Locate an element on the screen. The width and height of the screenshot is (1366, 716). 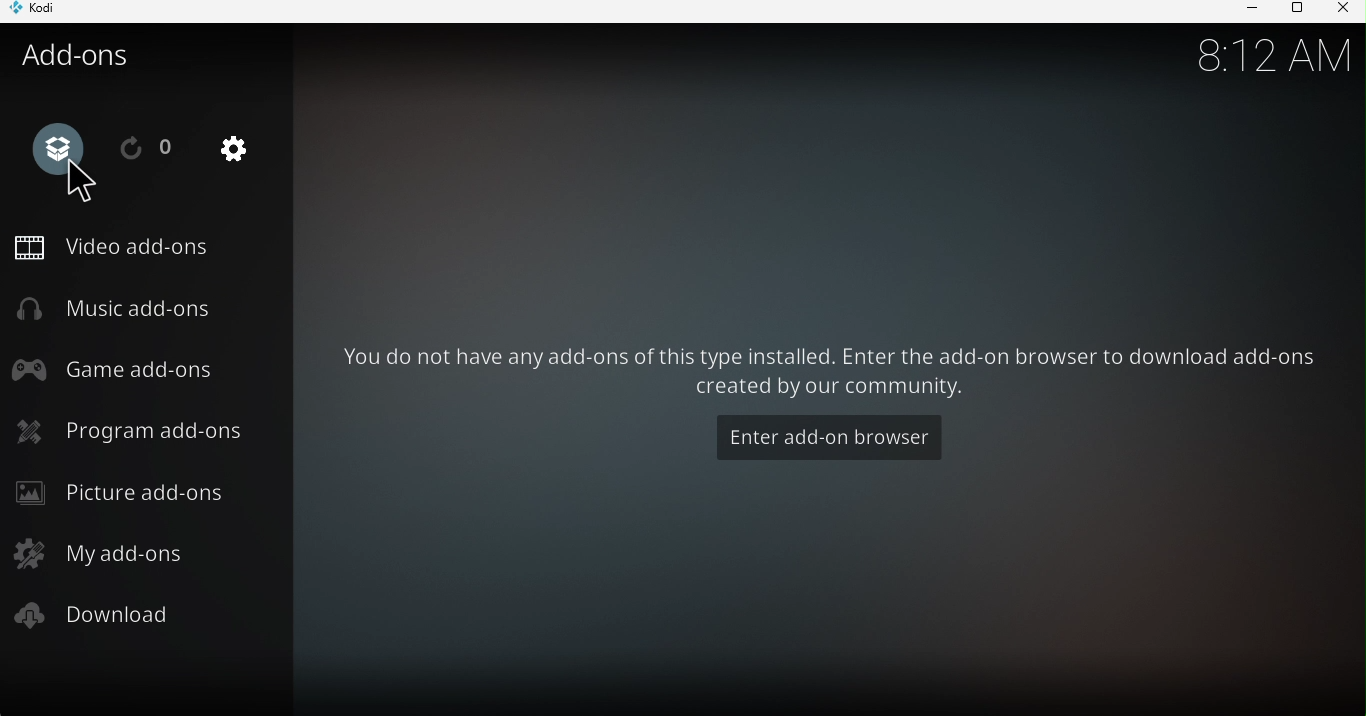
Settings is located at coordinates (243, 156).